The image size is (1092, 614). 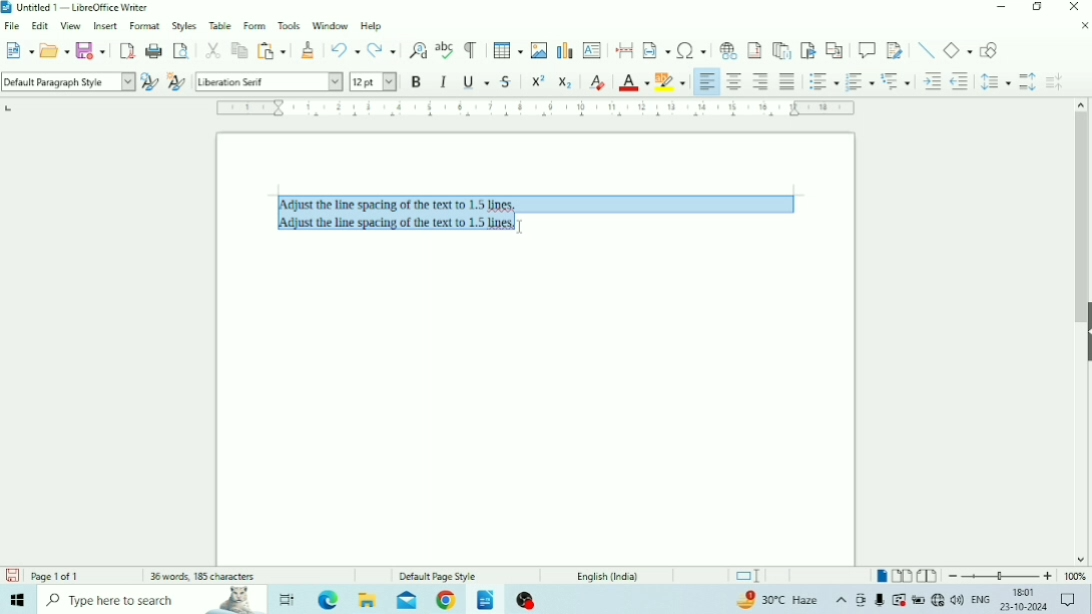 What do you see at coordinates (273, 51) in the screenshot?
I see `Paste` at bounding box center [273, 51].